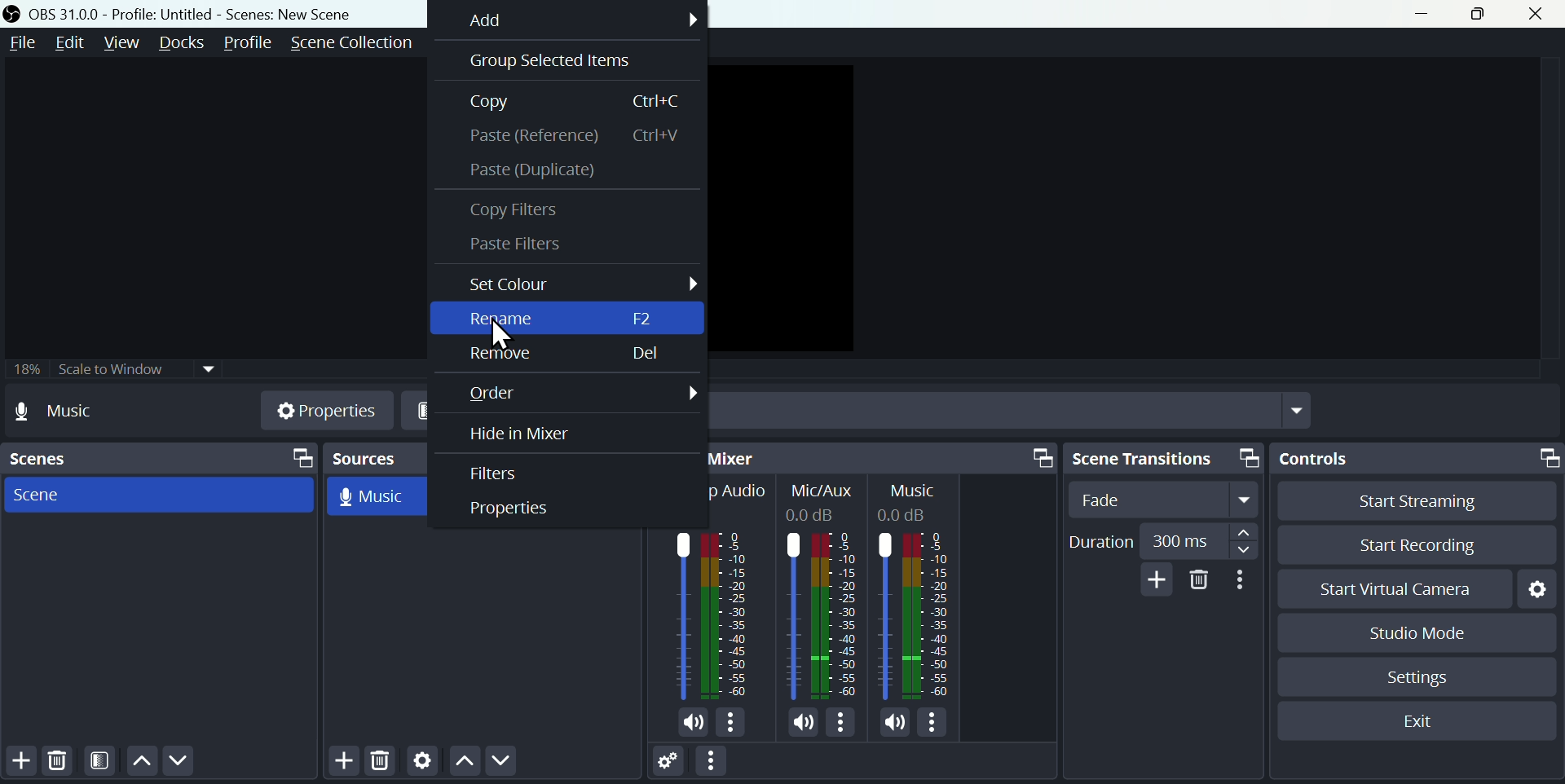 The height and width of the screenshot is (784, 1565). I want to click on , so click(911, 614).